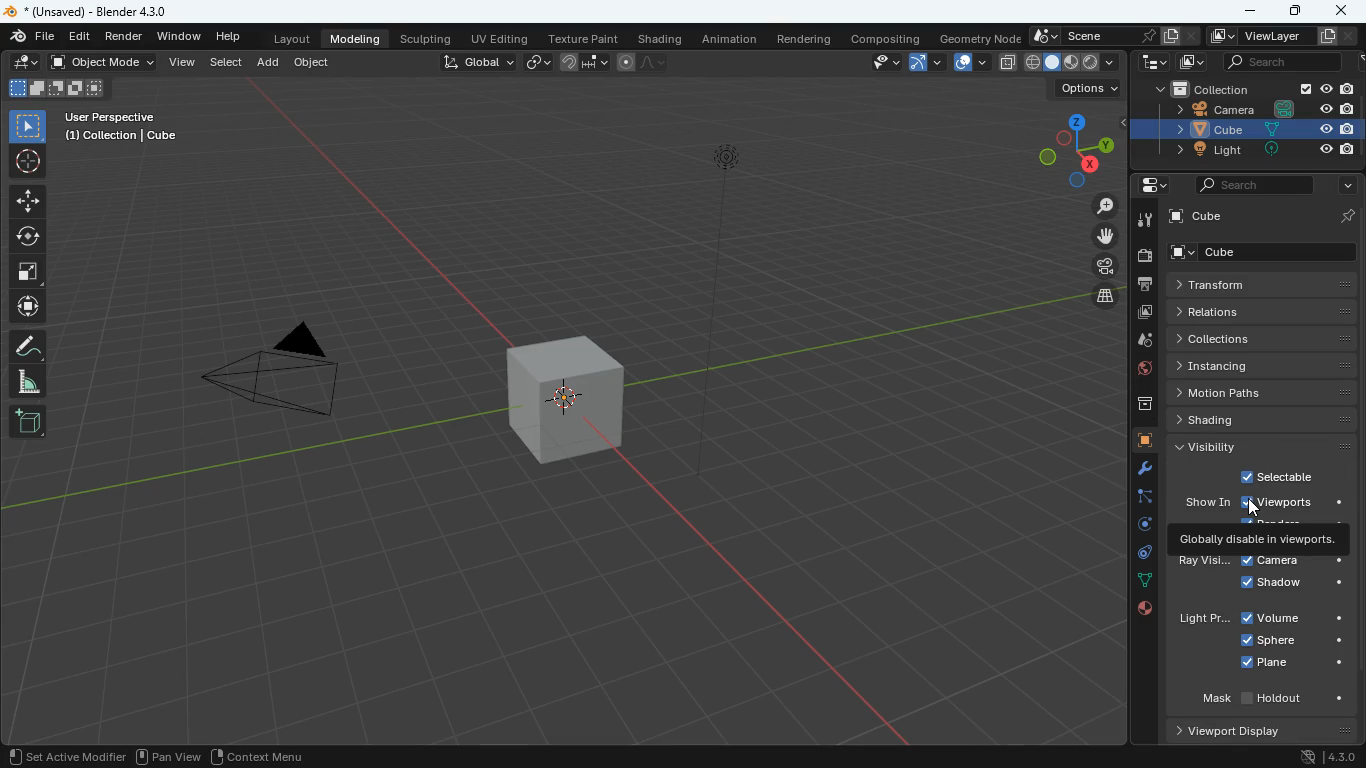  What do you see at coordinates (27, 126) in the screenshot?
I see `select` at bounding box center [27, 126].